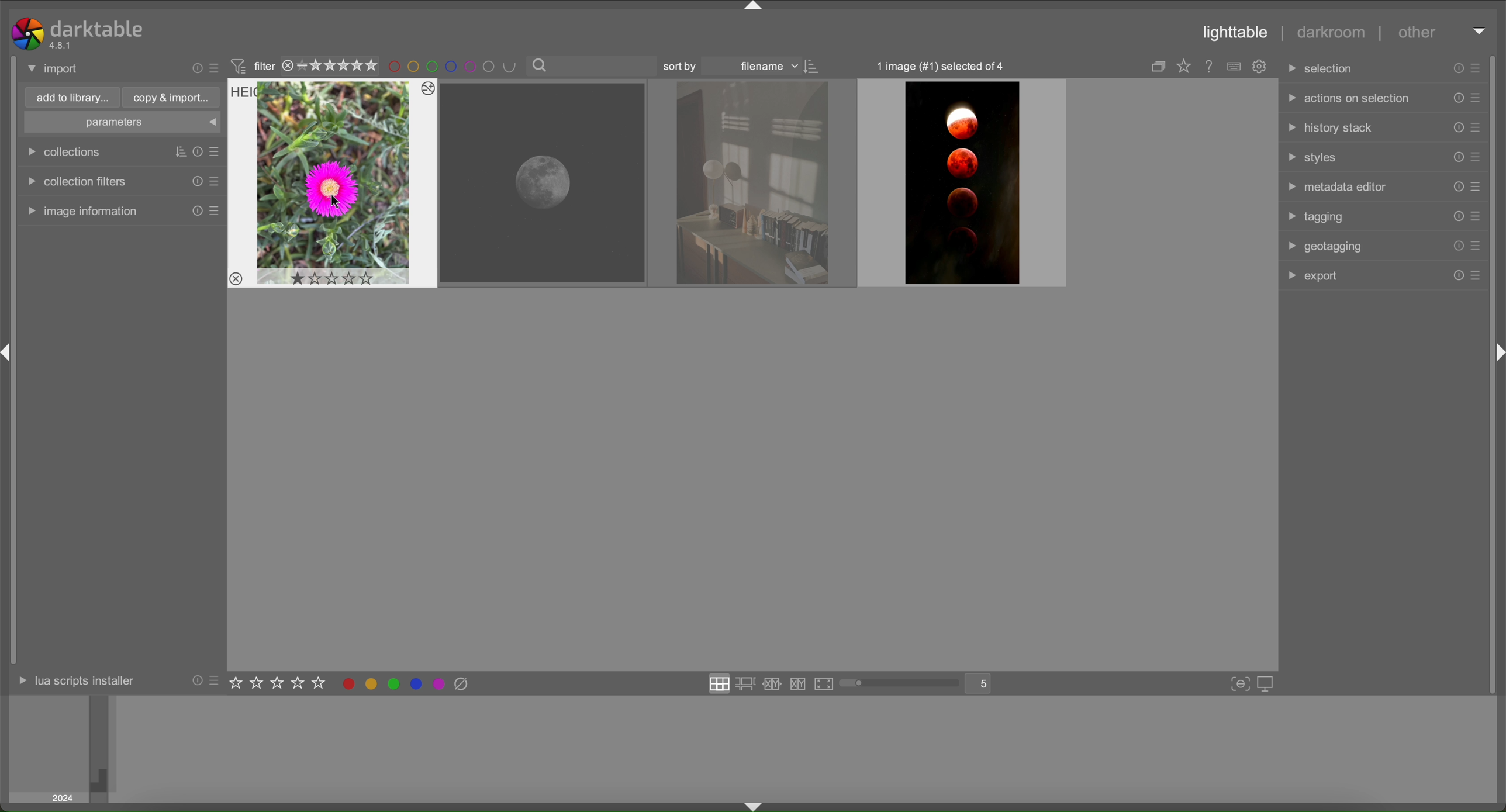 The height and width of the screenshot is (812, 1506). I want to click on tagging tab, so click(1317, 216).